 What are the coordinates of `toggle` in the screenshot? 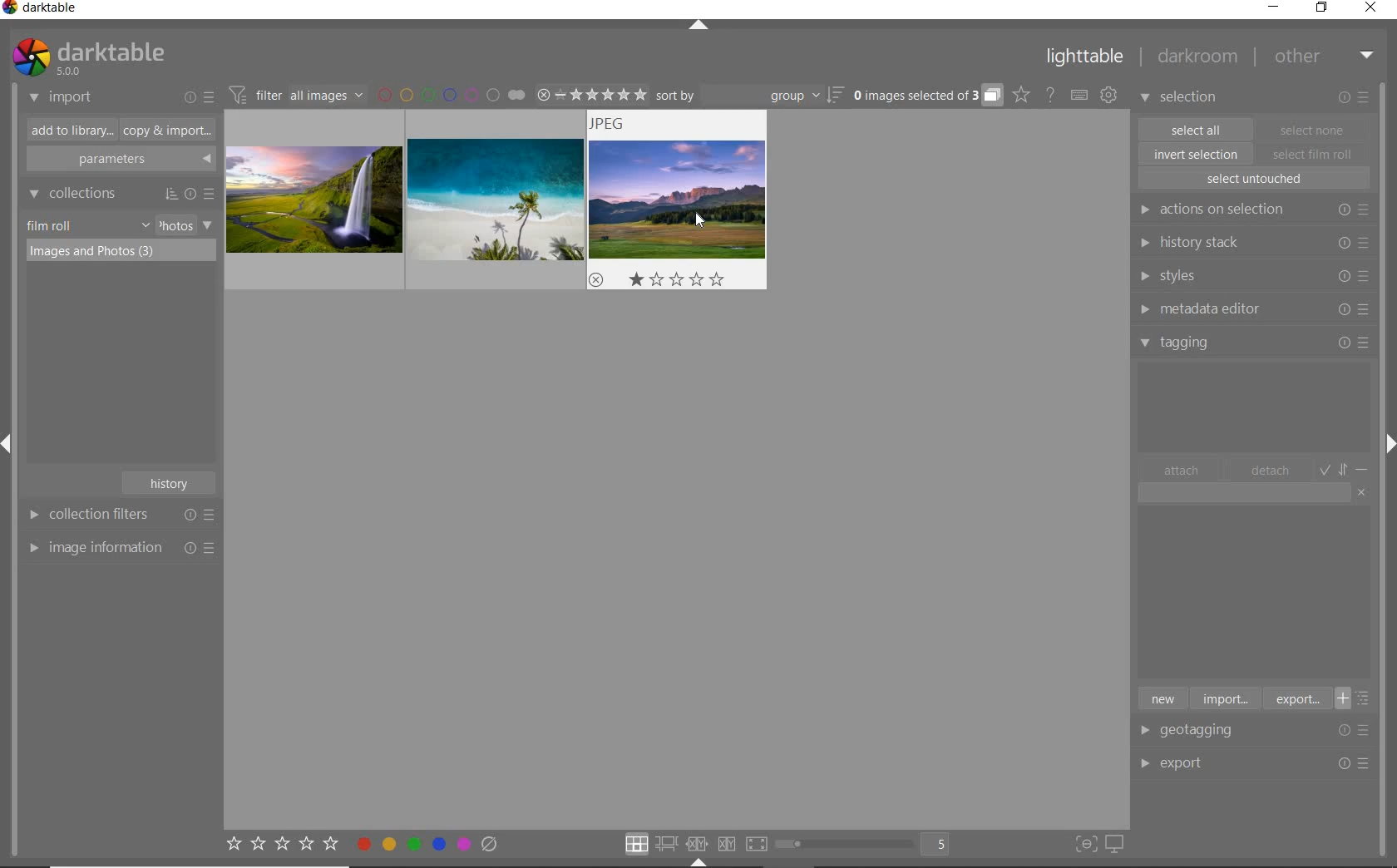 It's located at (1345, 468).